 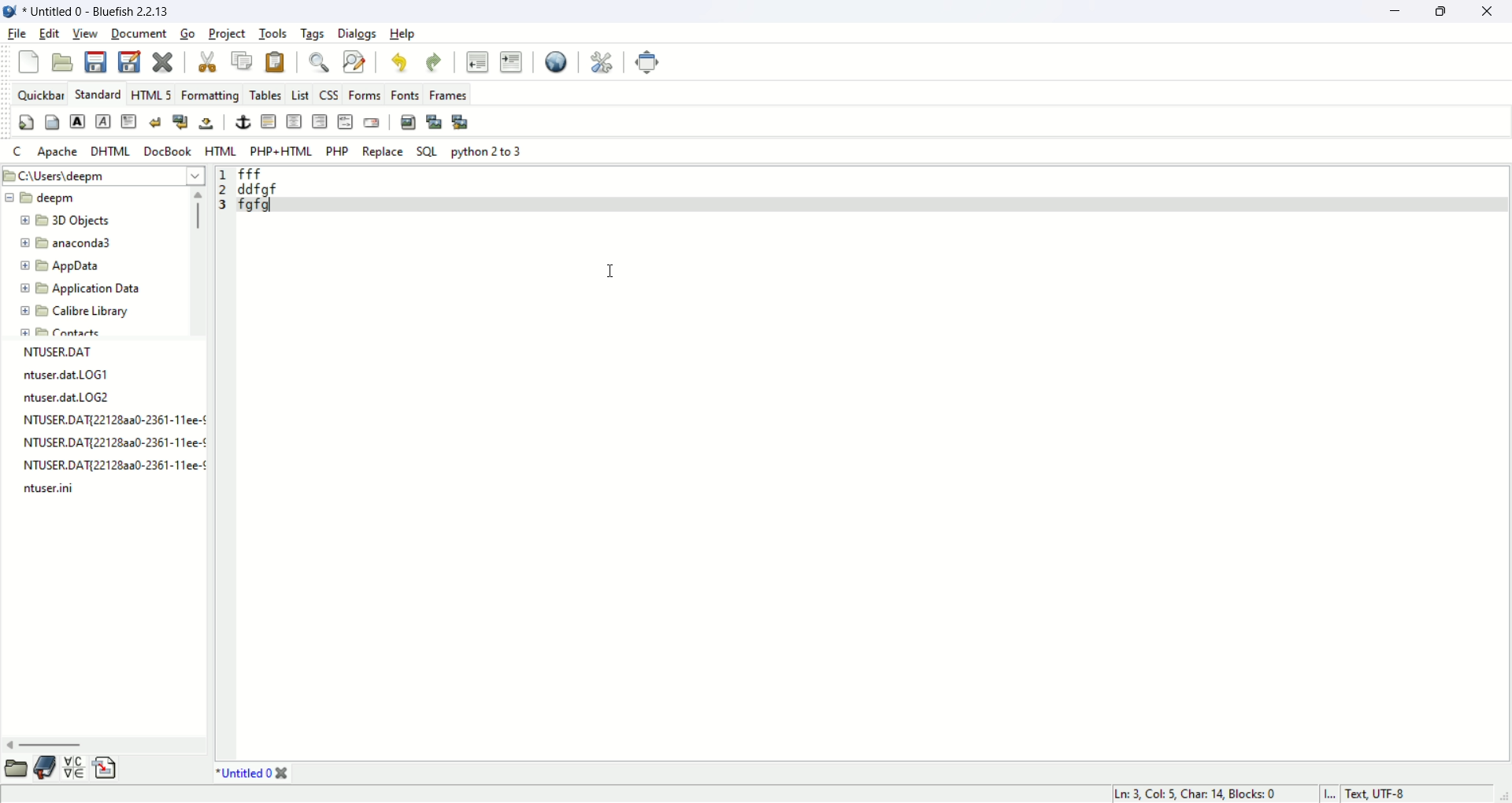 What do you see at coordinates (46, 493) in the screenshot?
I see `file name` at bounding box center [46, 493].